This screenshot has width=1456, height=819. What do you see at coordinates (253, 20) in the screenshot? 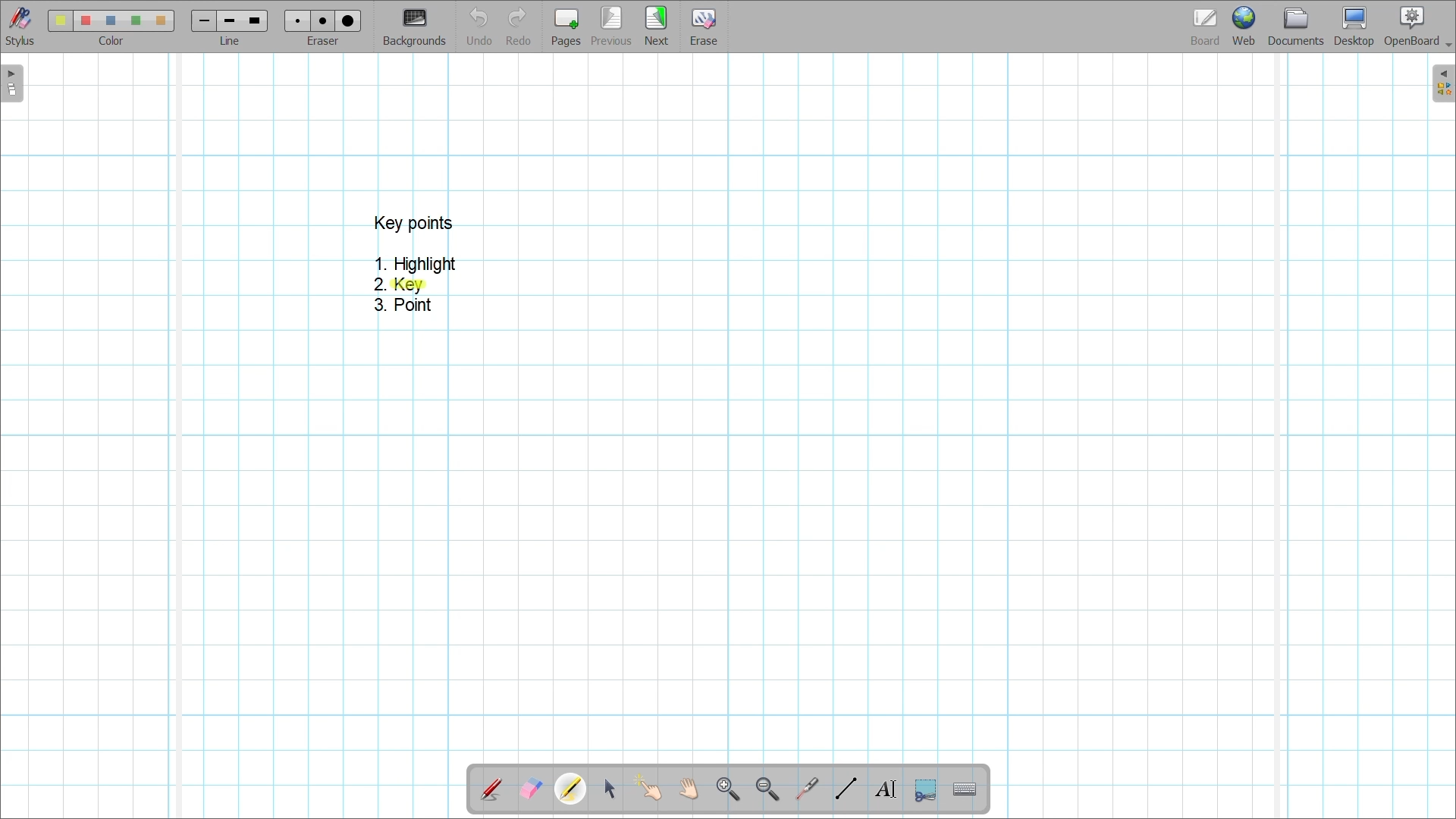
I see `line 3` at bounding box center [253, 20].